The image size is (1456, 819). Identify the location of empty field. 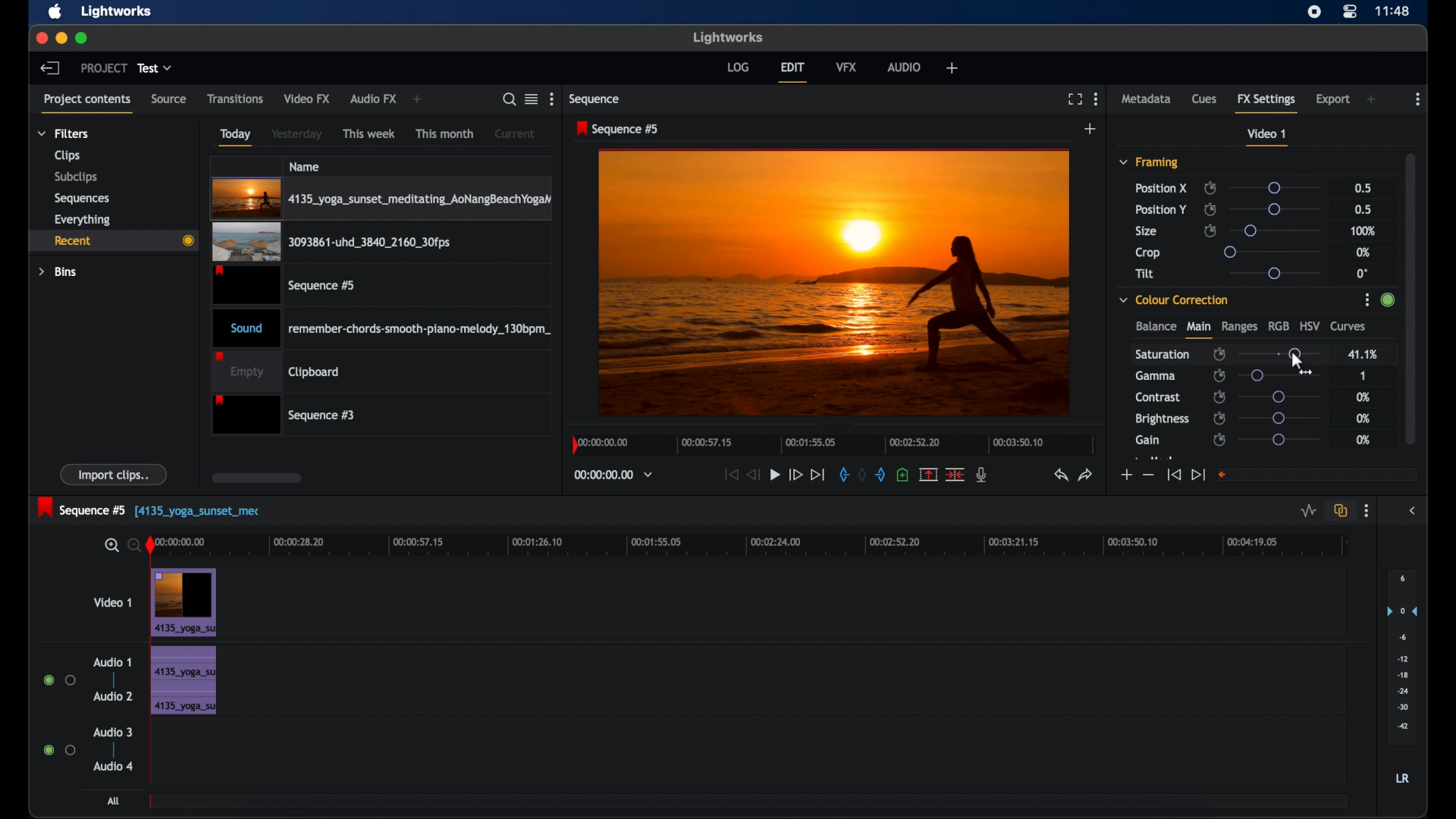
(1318, 474).